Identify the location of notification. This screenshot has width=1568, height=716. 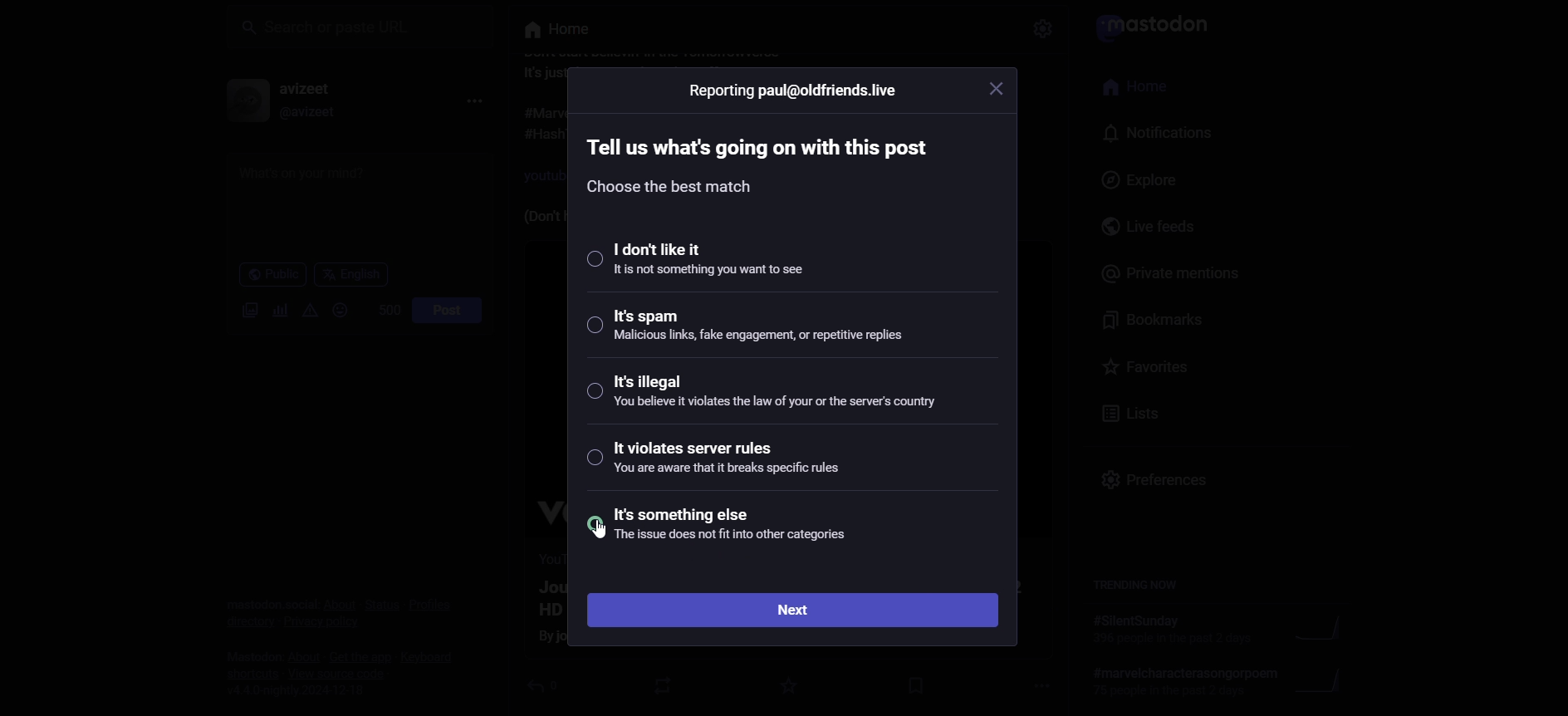
(1152, 134).